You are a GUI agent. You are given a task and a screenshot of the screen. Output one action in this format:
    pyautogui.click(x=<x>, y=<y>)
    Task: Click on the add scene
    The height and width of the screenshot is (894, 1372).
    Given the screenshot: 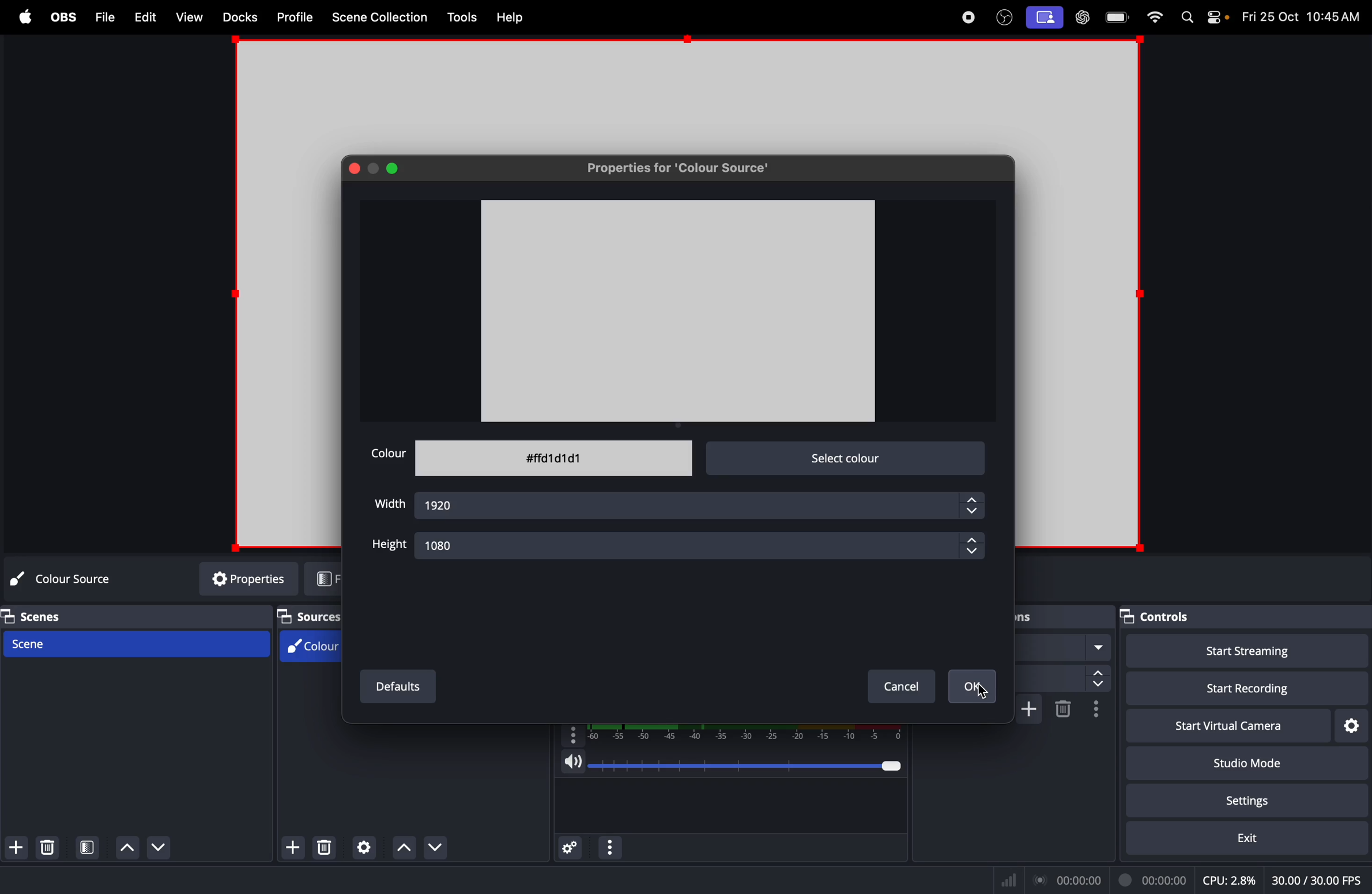 What is the action you would take?
    pyautogui.click(x=18, y=848)
    